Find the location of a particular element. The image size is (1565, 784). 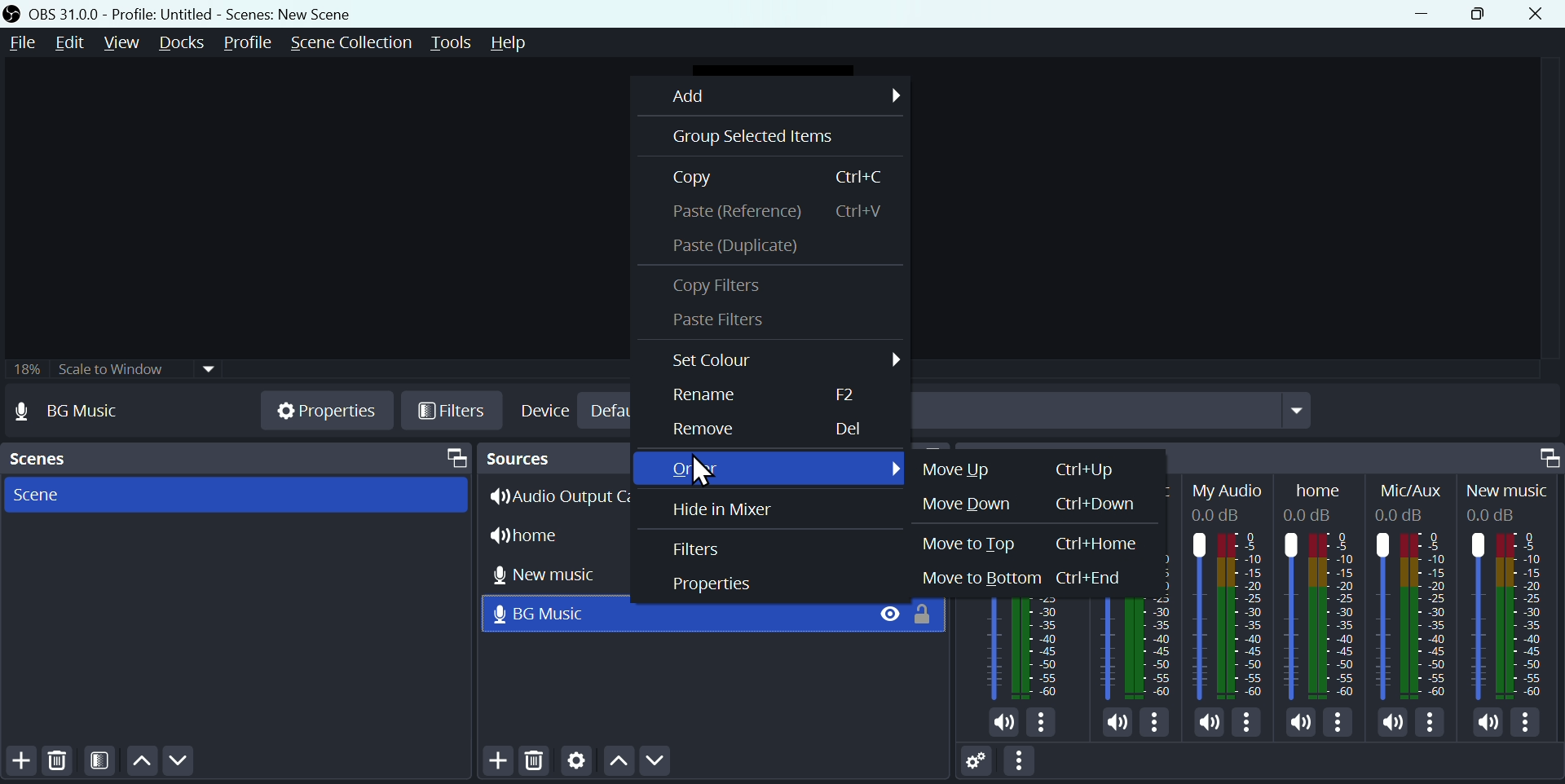

New Music is located at coordinates (1512, 592).